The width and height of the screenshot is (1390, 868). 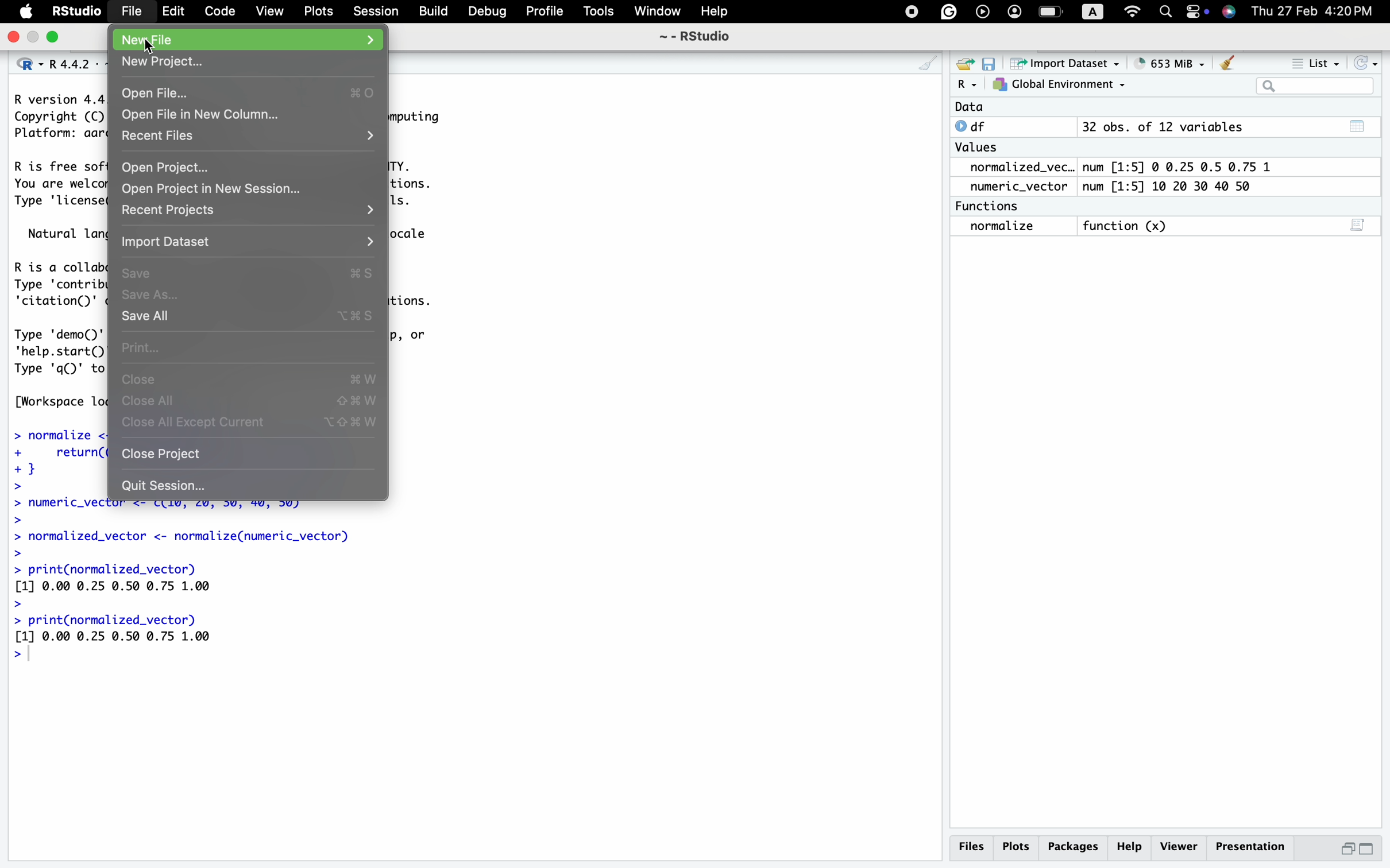 What do you see at coordinates (268, 12) in the screenshot?
I see `View` at bounding box center [268, 12].